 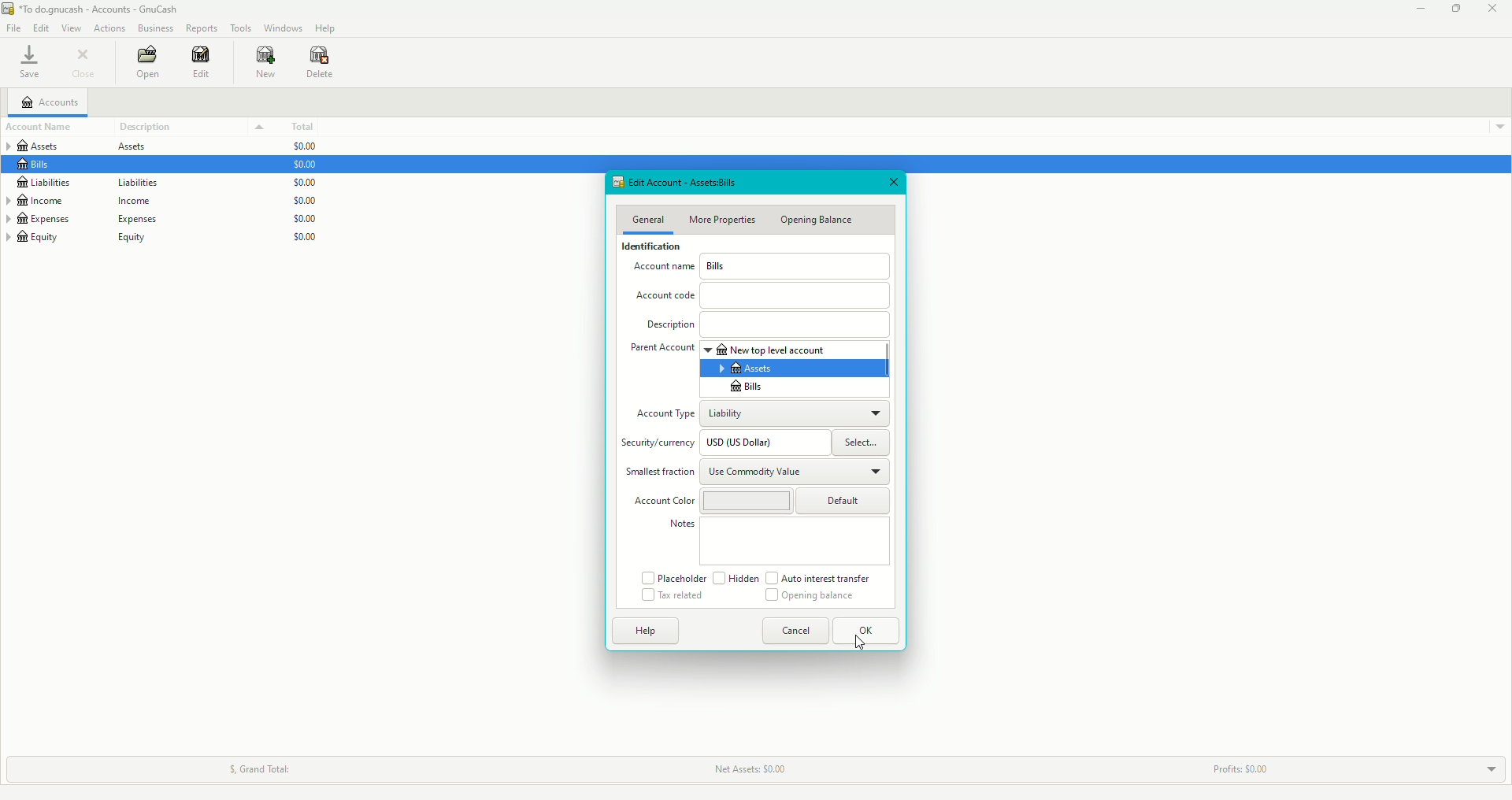 What do you see at coordinates (736, 579) in the screenshot?
I see `Hidden` at bounding box center [736, 579].